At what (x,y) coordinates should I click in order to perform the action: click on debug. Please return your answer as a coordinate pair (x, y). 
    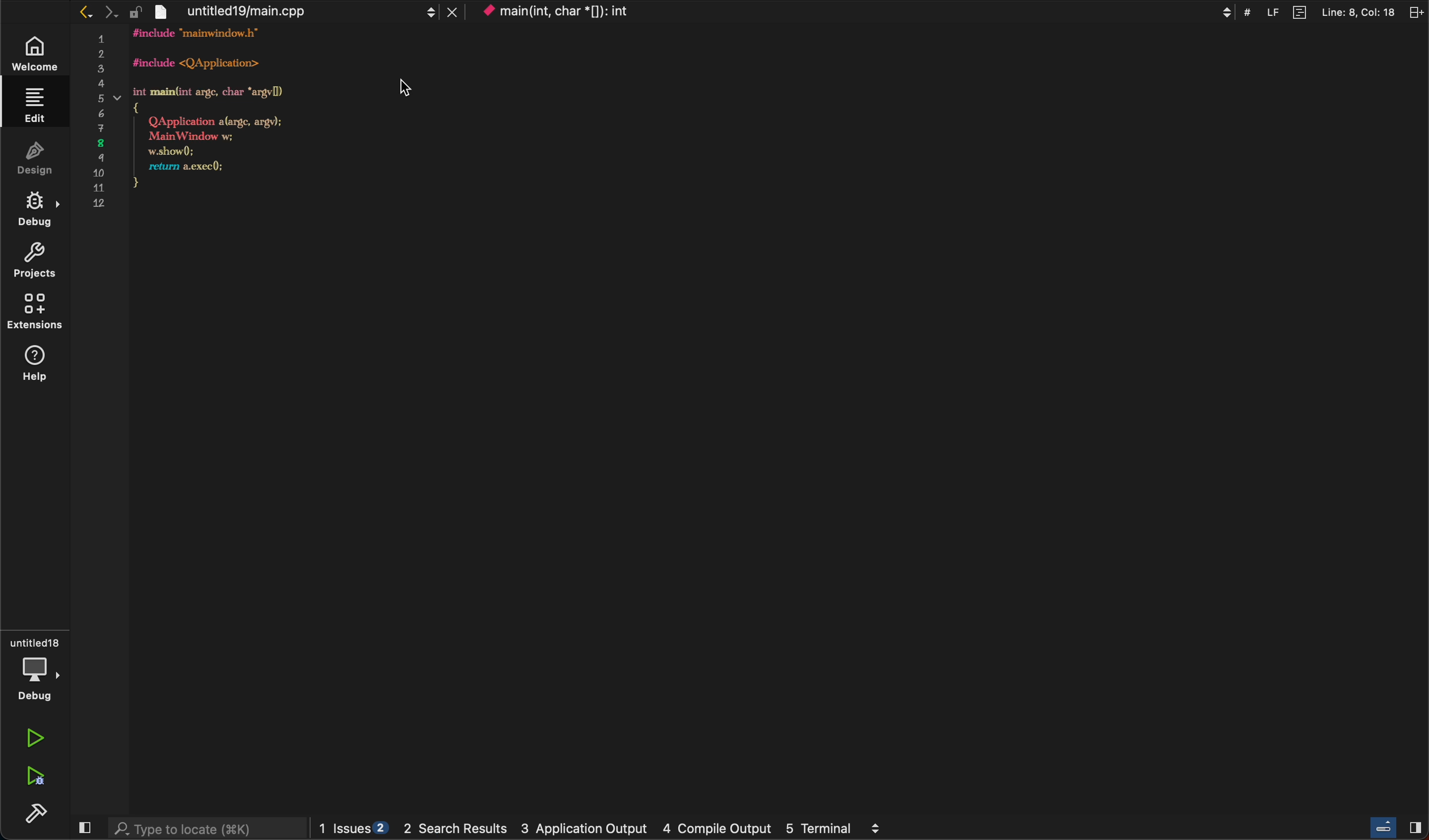
    Looking at the image, I should click on (35, 673).